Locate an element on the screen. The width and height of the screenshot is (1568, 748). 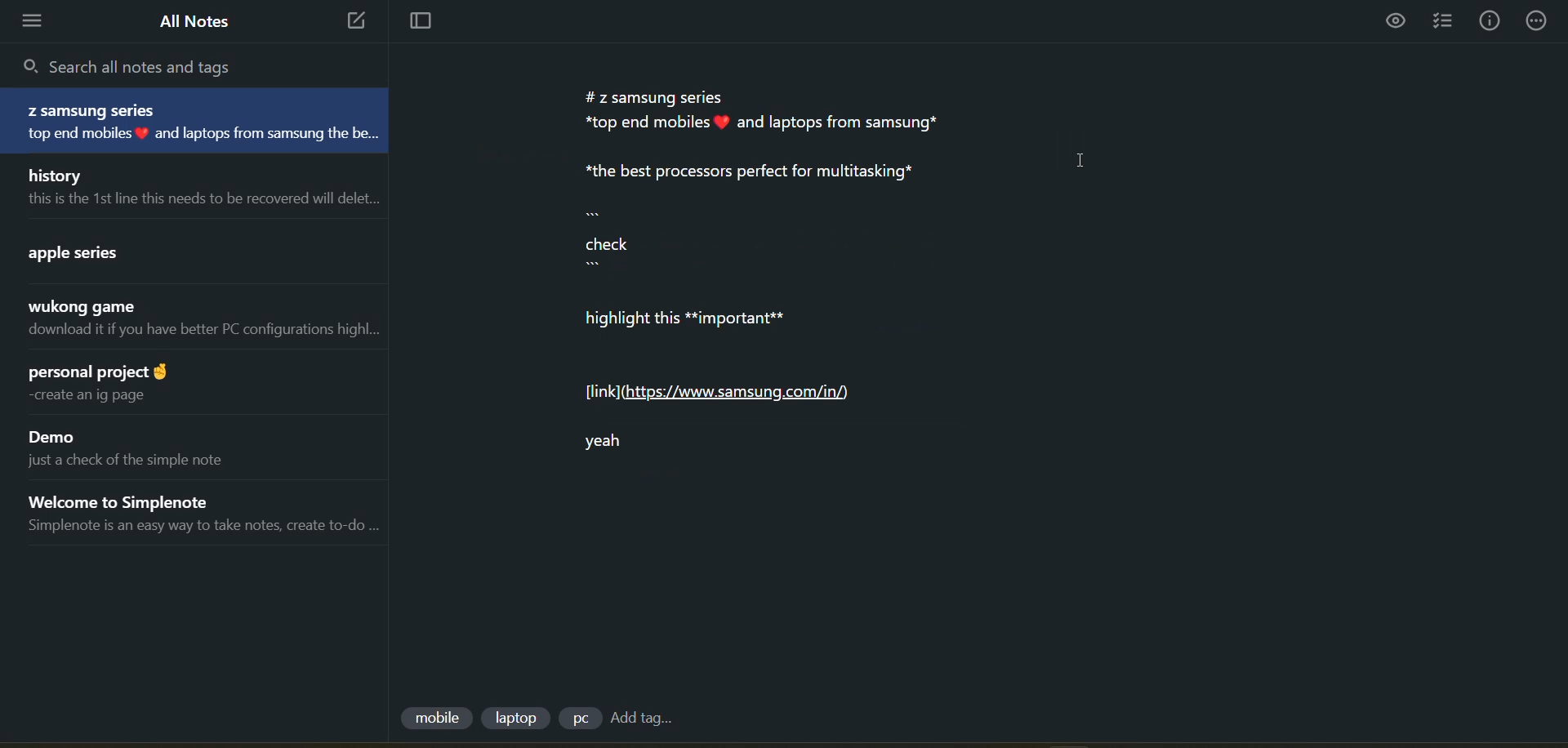
new note is located at coordinates (351, 22).